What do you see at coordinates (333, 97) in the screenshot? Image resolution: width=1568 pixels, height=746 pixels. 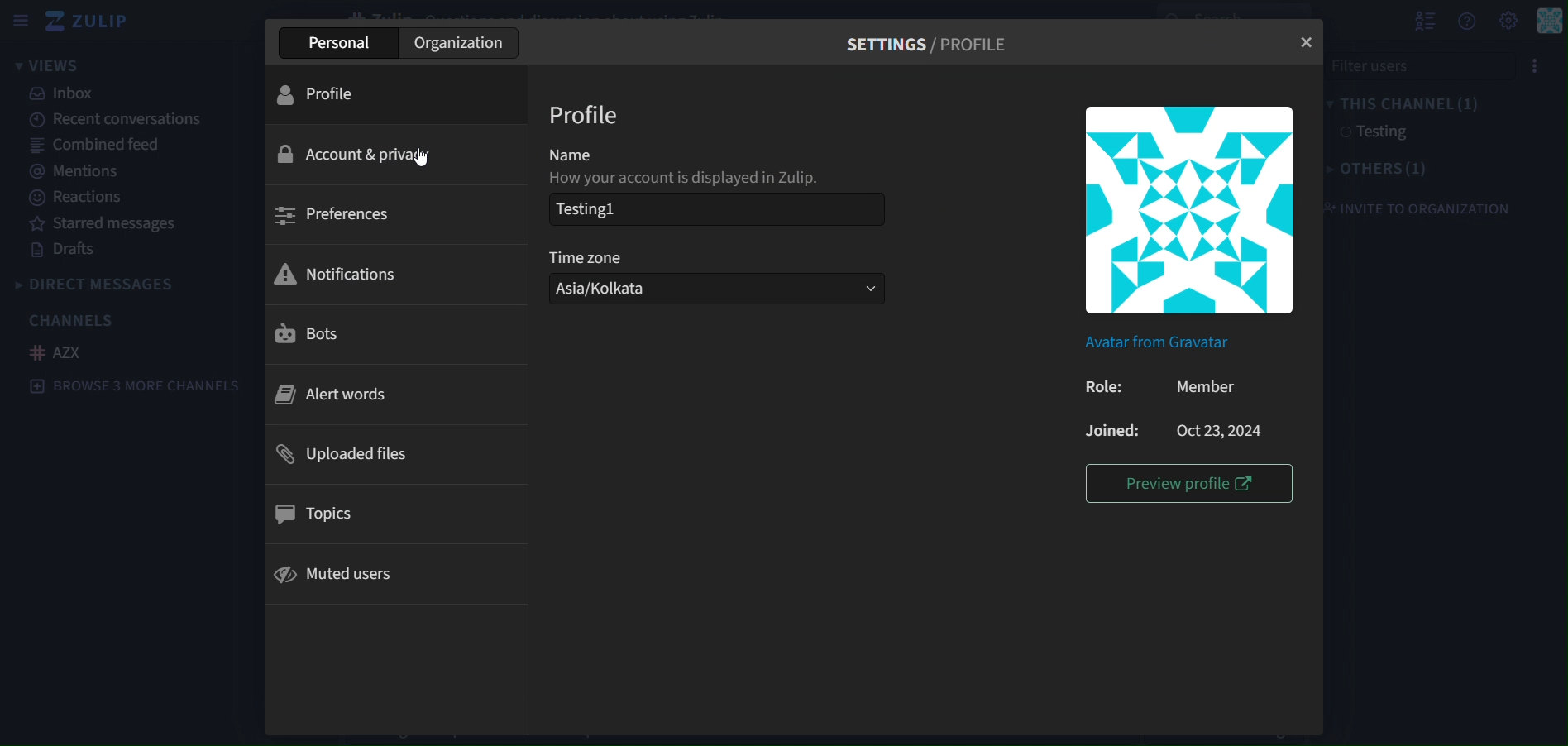 I see `profile` at bounding box center [333, 97].